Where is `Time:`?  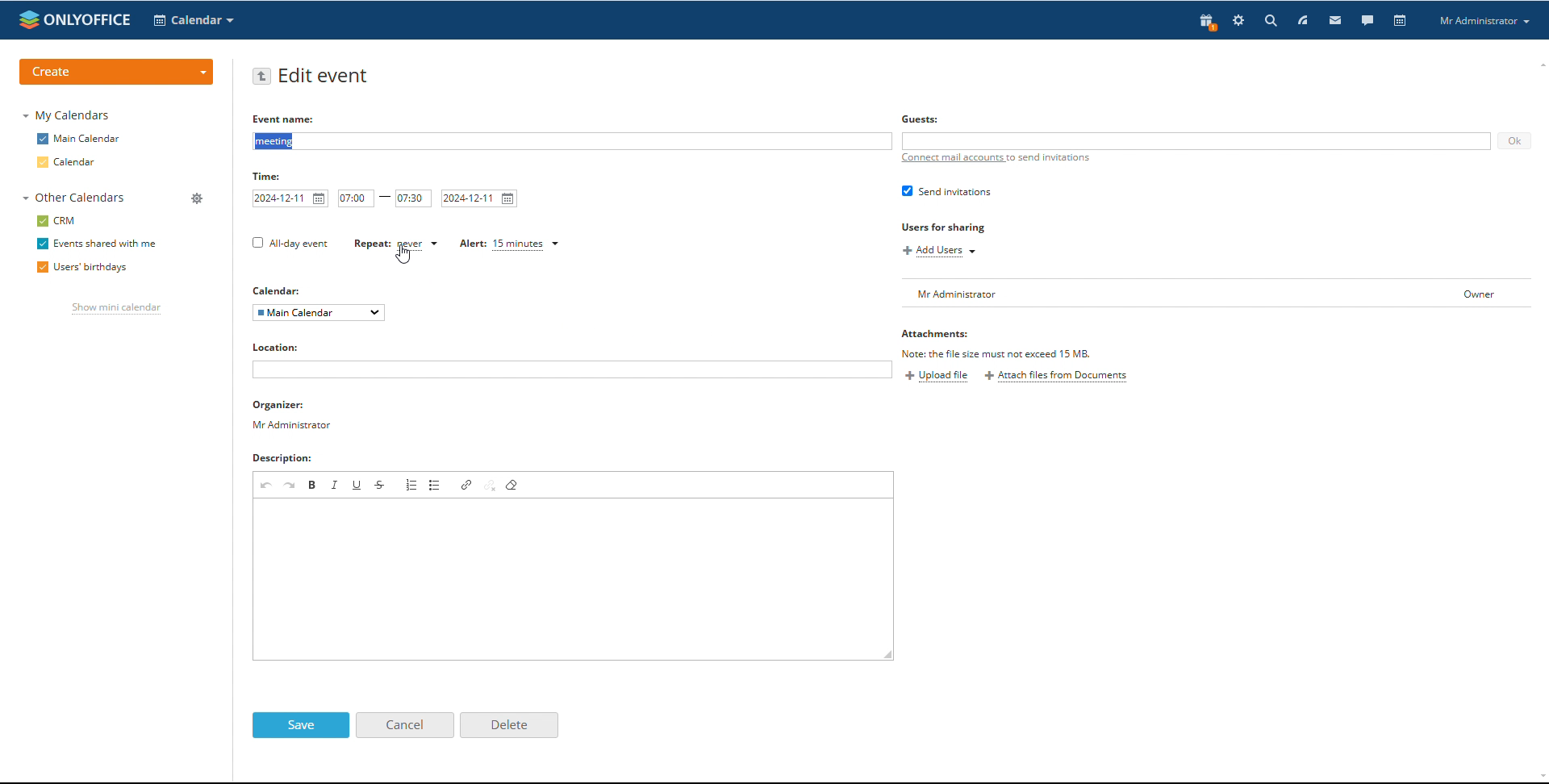 Time: is located at coordinates (270, 177).